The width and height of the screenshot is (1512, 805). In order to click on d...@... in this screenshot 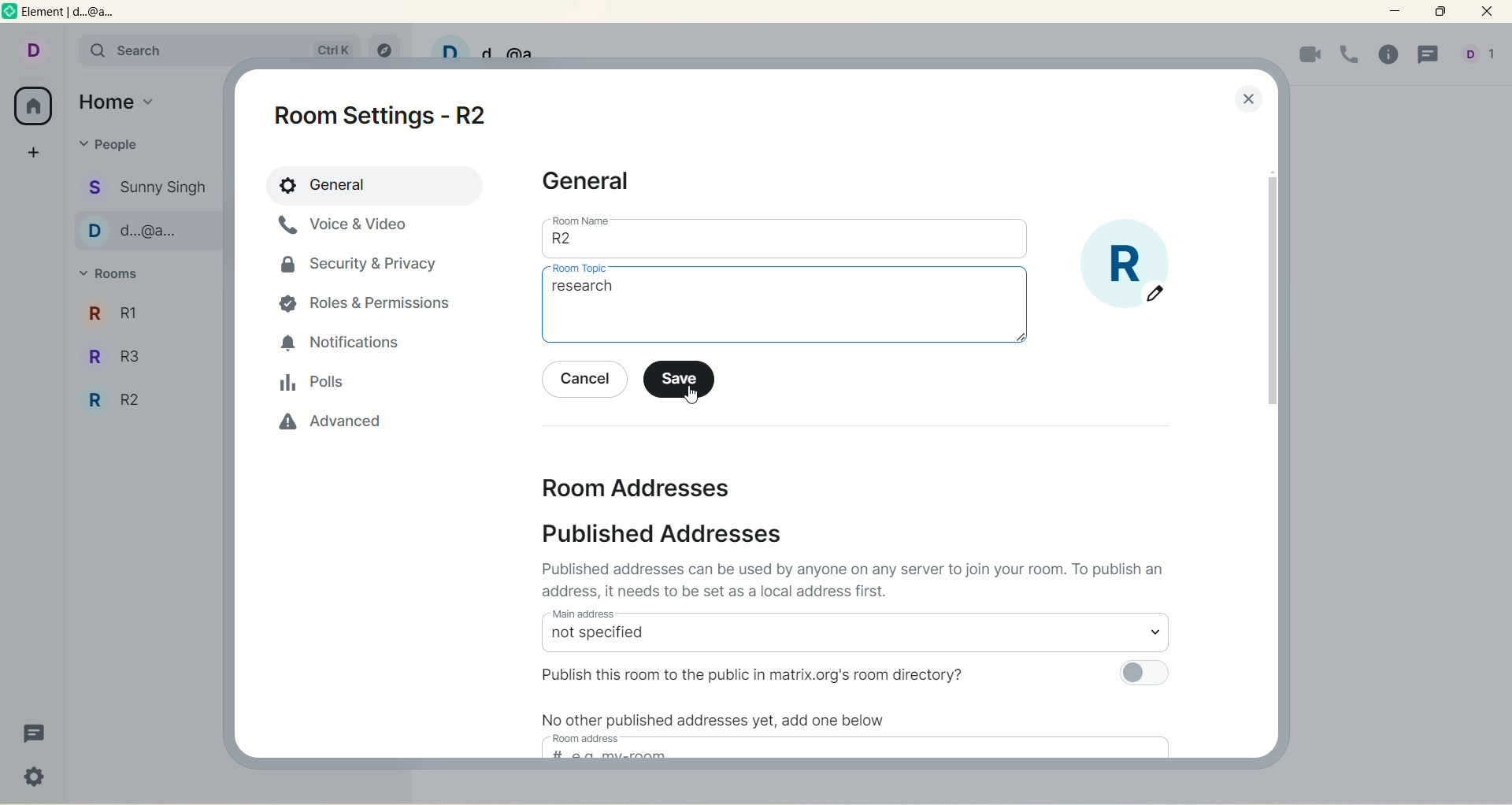, I will do `click(146, 230)`.